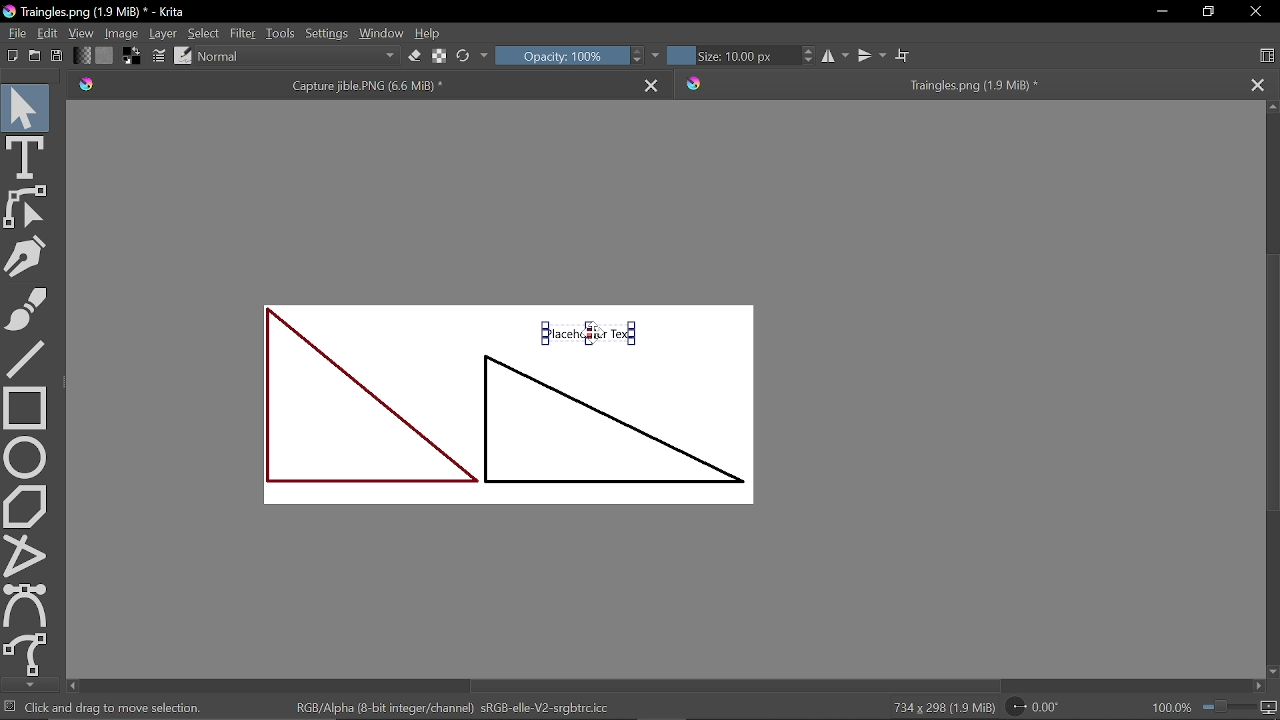 This screenshot has height=720, width=1280. I want to click on Settings, so click(326, 32).